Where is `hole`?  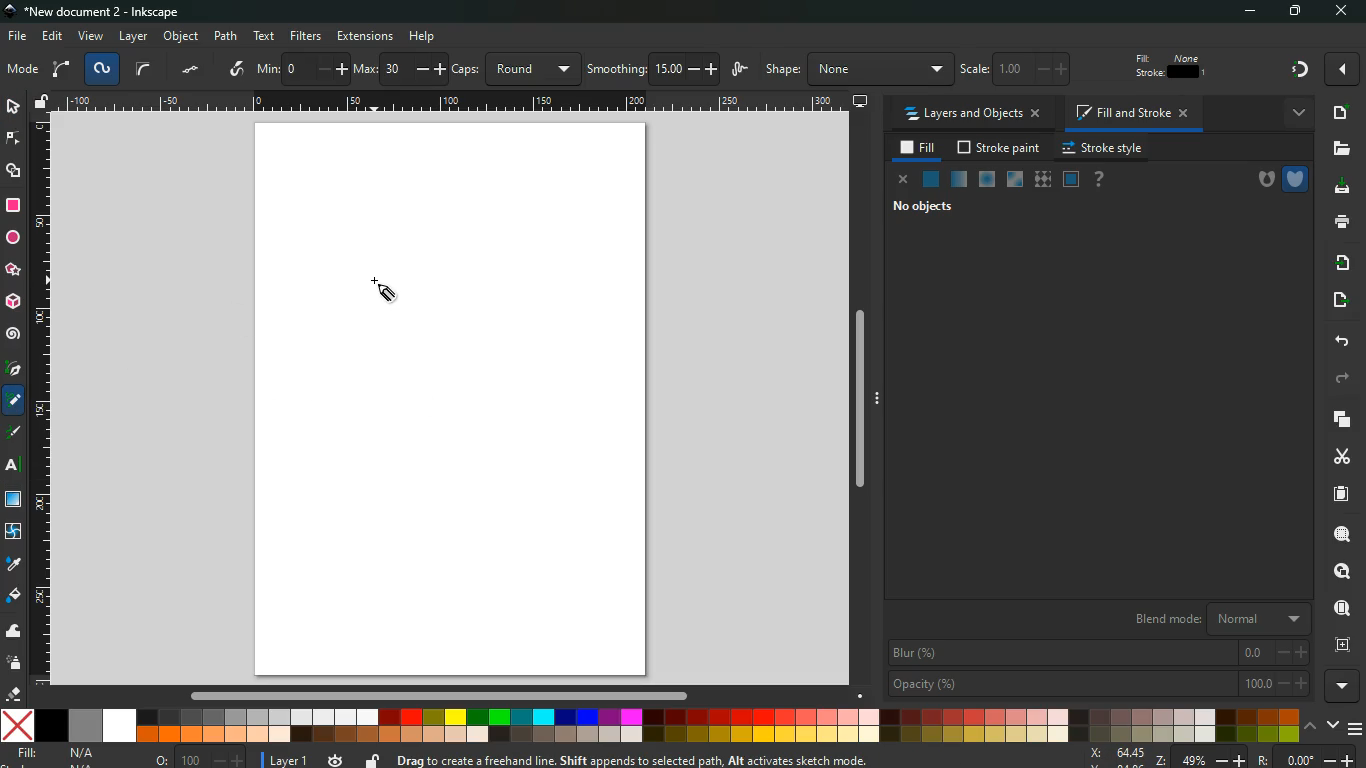 hole is located at coordinates (1258, 177).